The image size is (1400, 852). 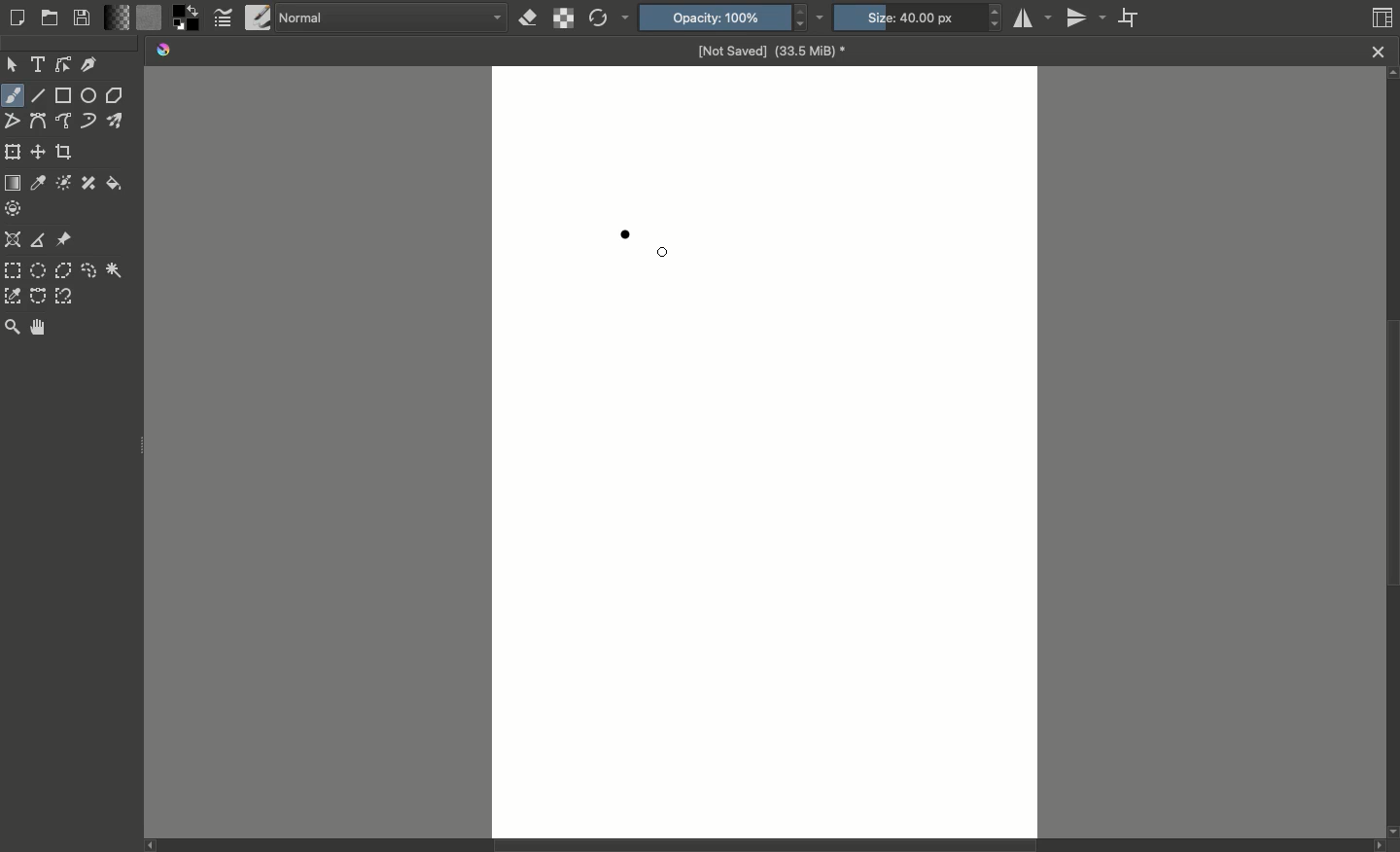 I want to click on Magnetic curve selection took, so click(x=64, y=296).